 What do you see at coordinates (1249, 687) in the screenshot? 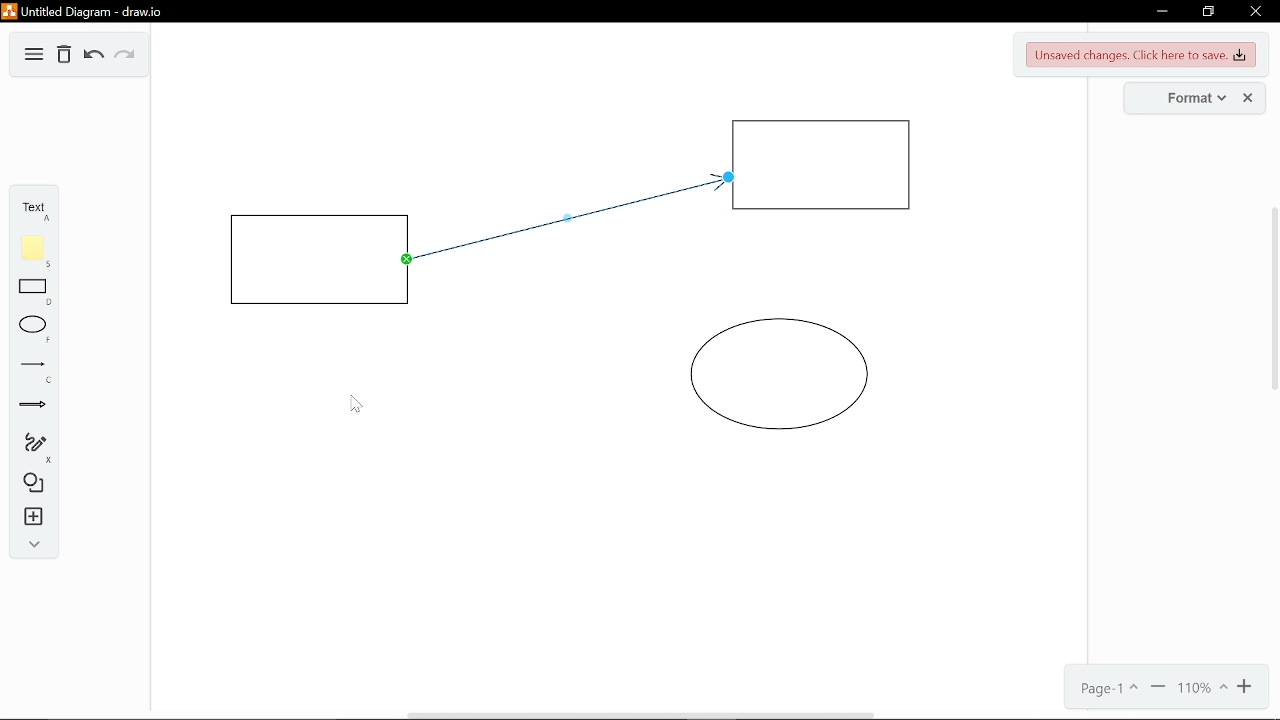
I see `Zoom in` at bounding box center [1249, 687].